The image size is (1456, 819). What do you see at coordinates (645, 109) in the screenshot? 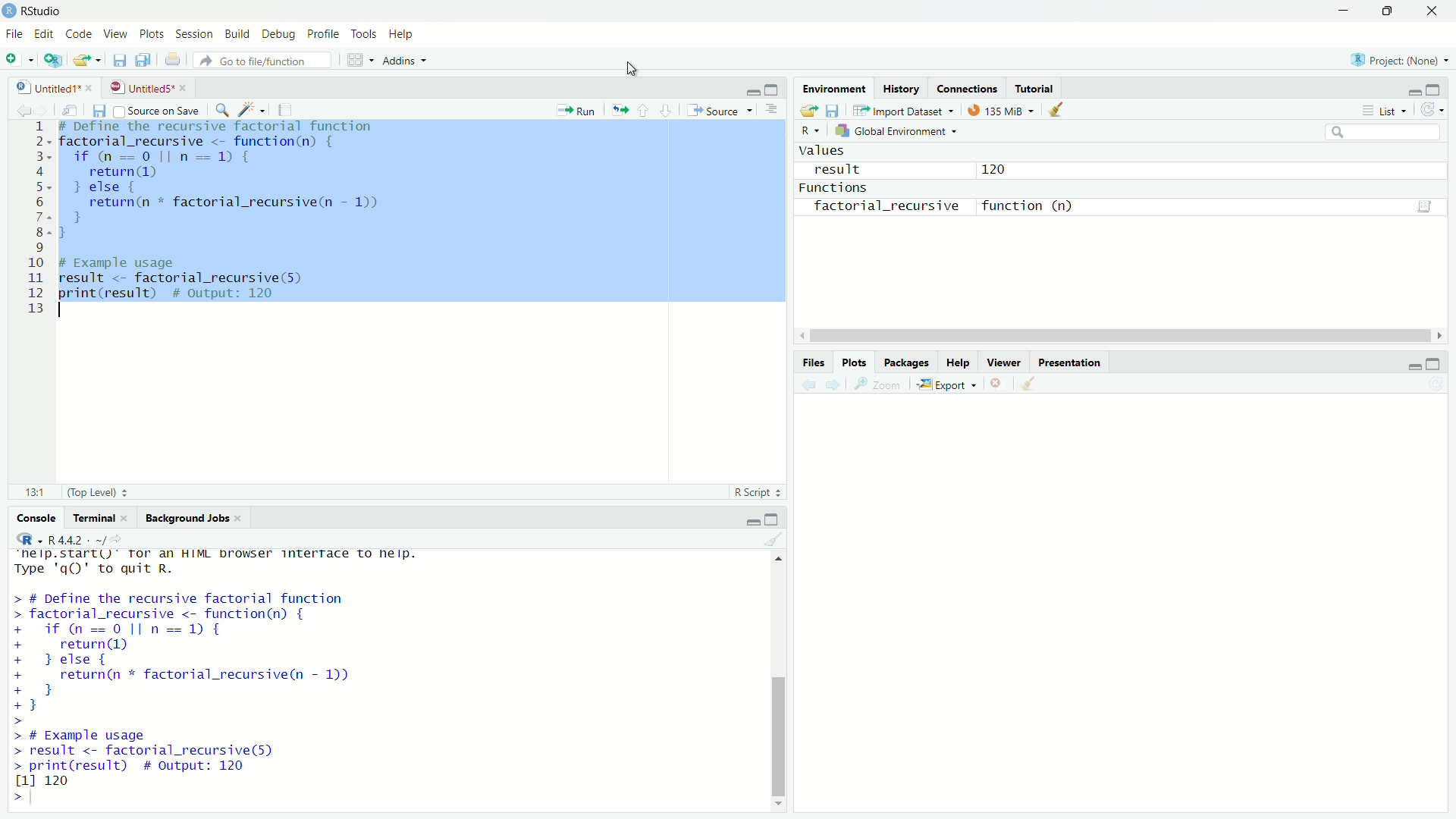
I see `Go to previous section/chunk (Ctrl + PgUp)` at bounding box center [645, 109].